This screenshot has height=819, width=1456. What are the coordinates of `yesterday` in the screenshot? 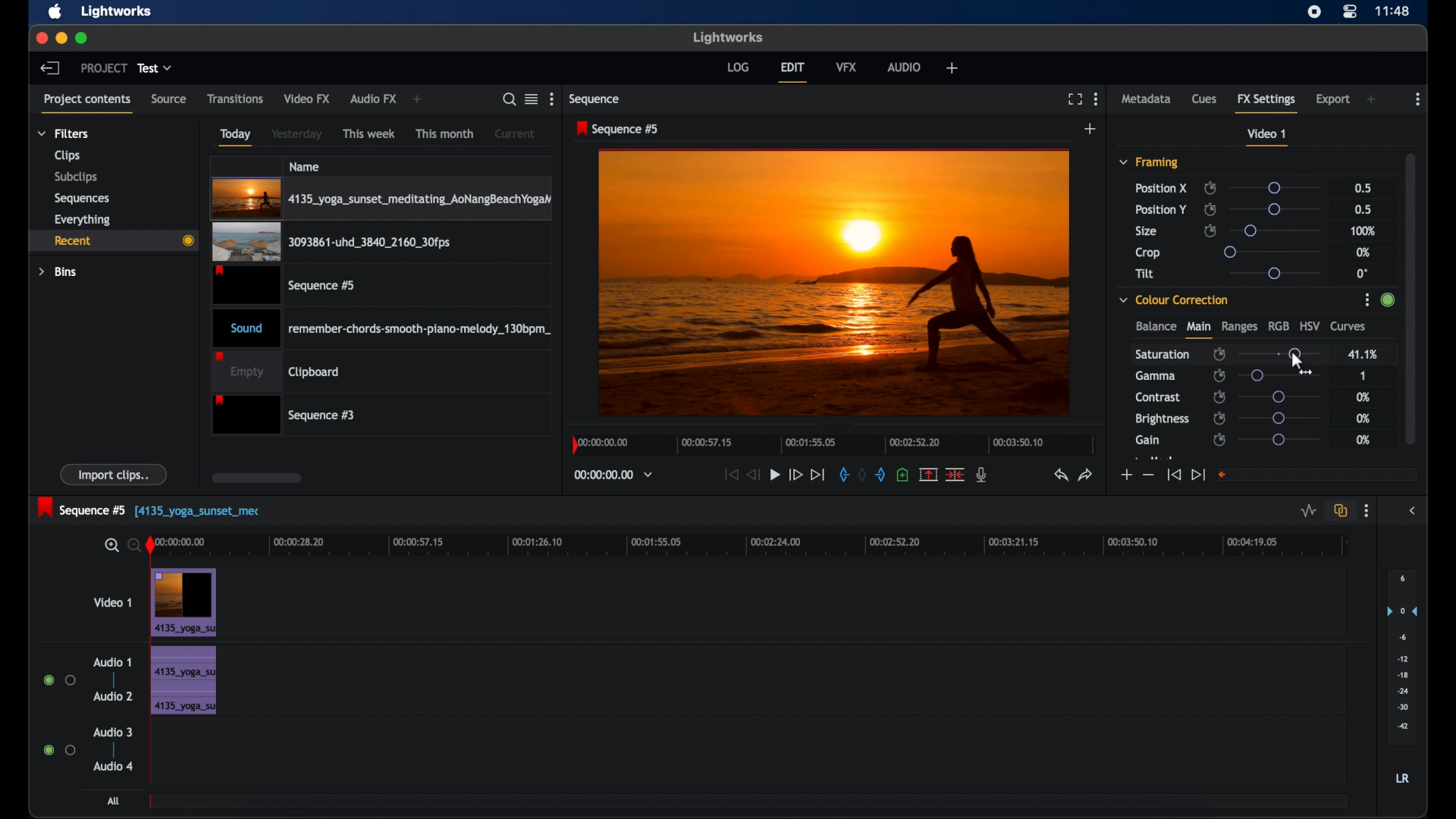 It's located at (297, 134).